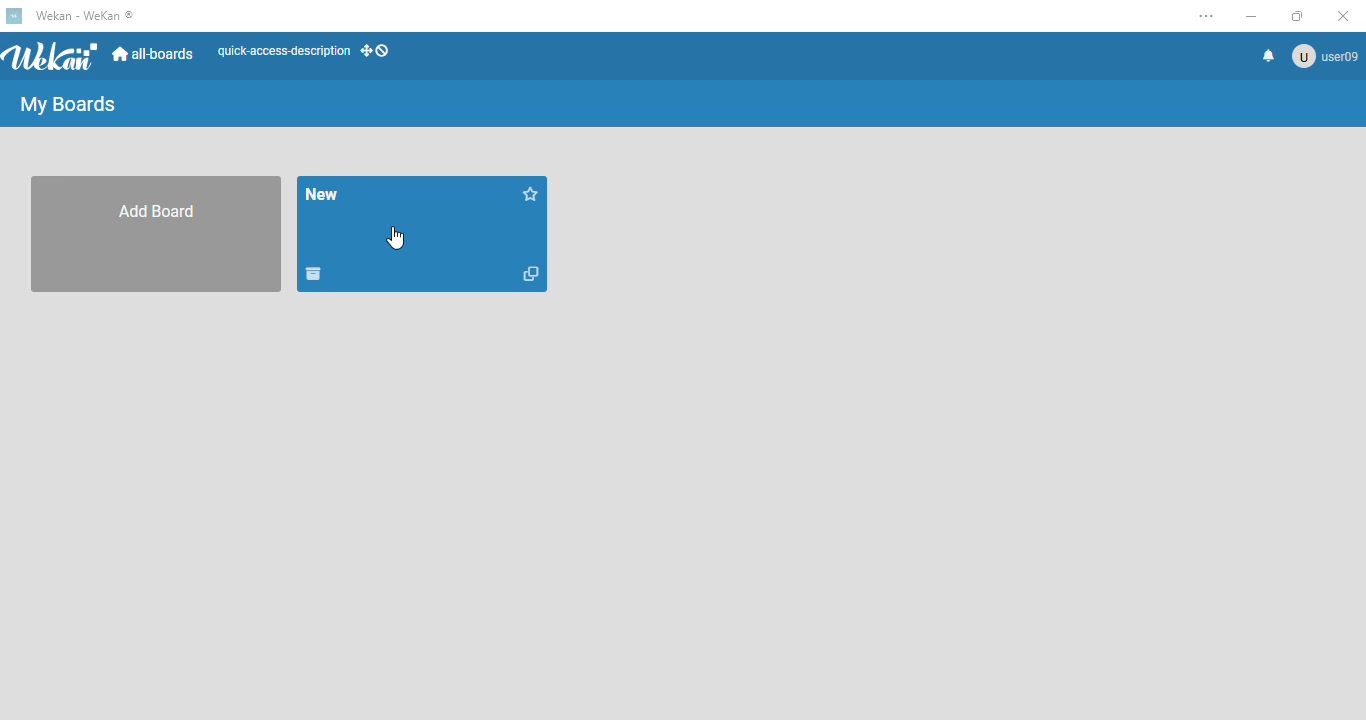  Describe the element at coordinates (1270, 56) in the screenshot. I see `notifications` at that location.